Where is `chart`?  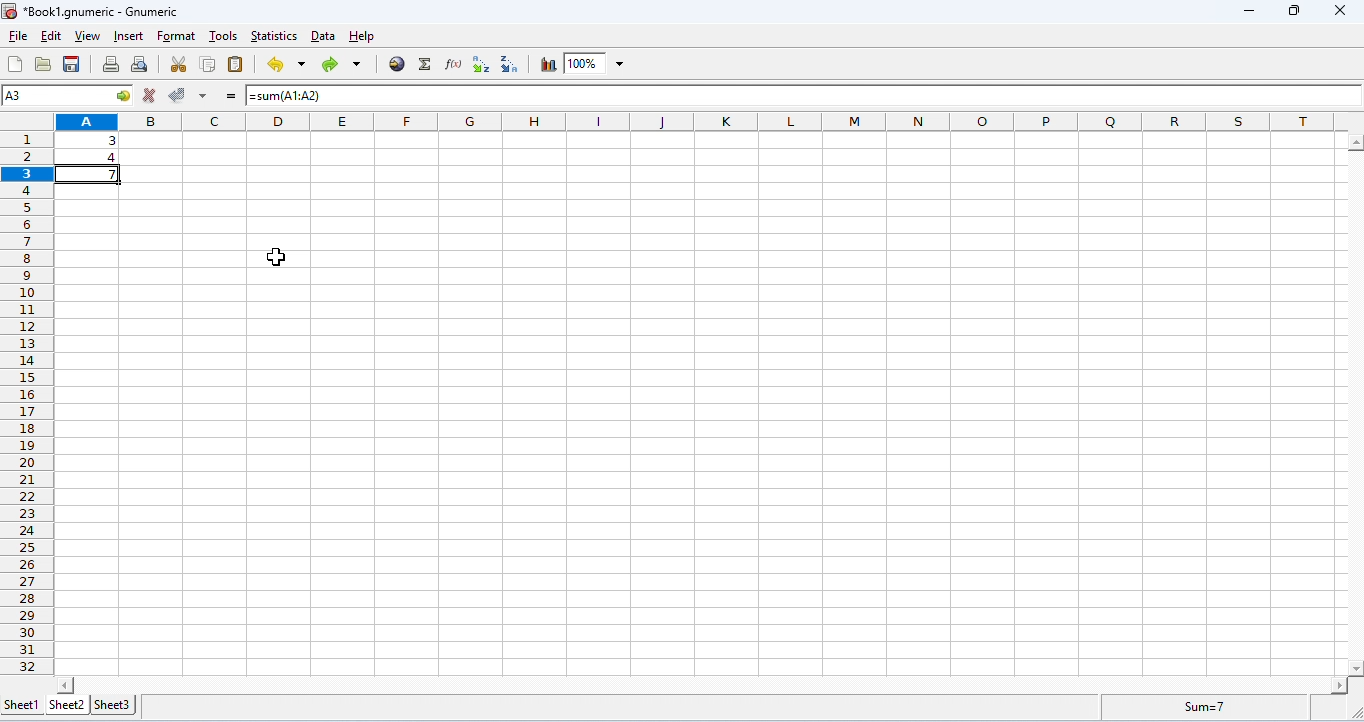
chart is located at coordinates (546, 64).